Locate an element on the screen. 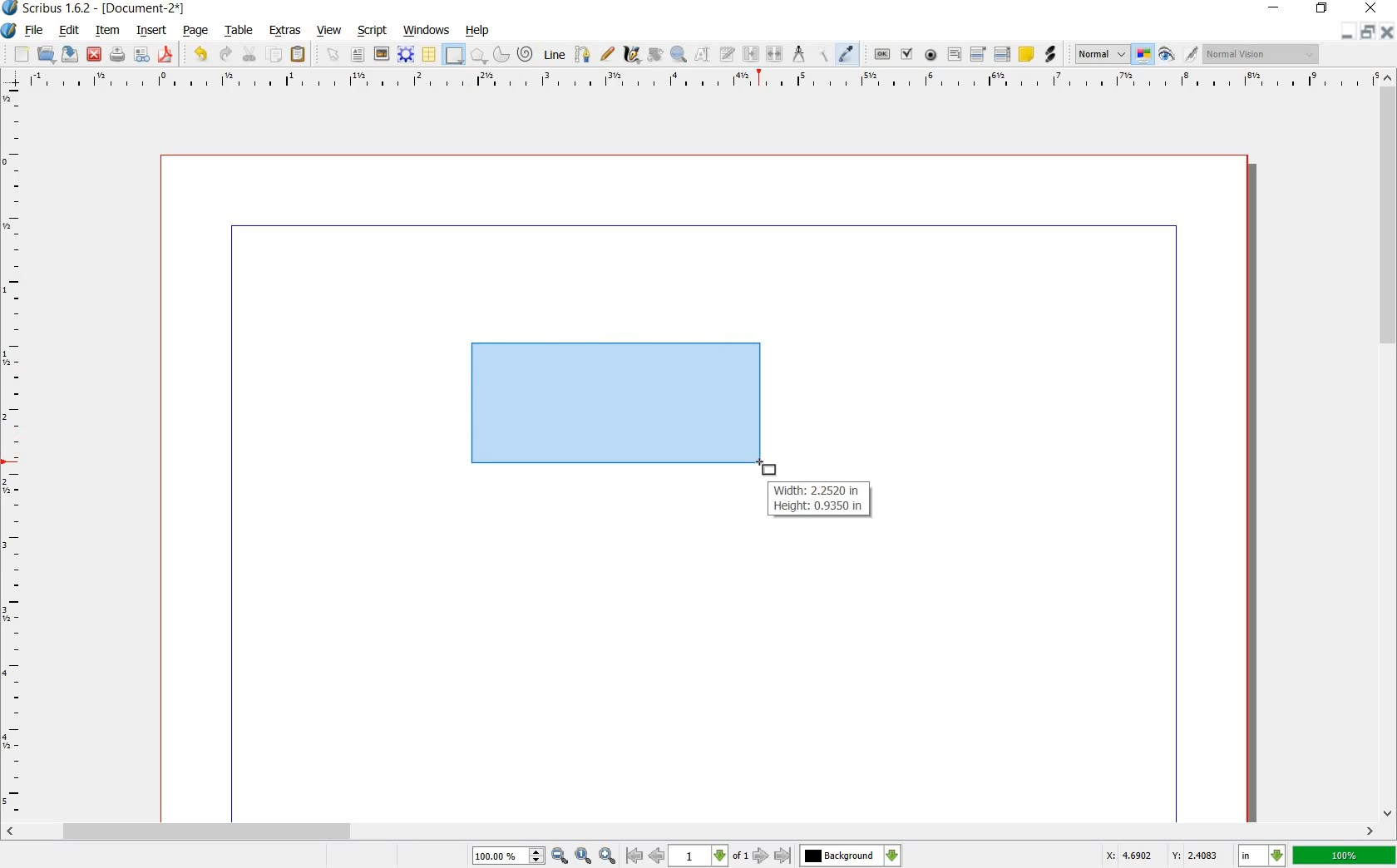  HELP is located at coordinates (477, 32).